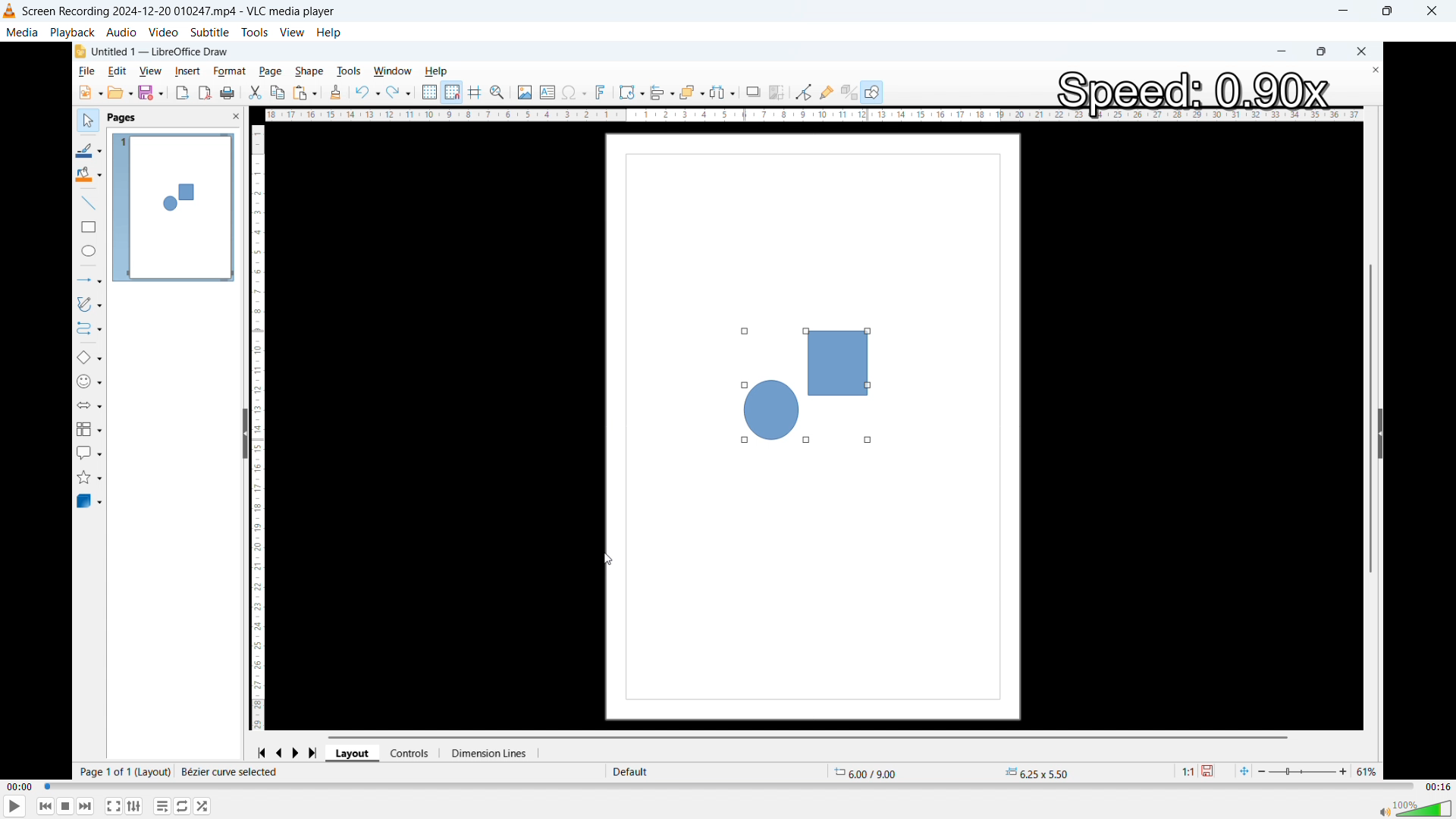 Image resolution: width=1456 pixels, height=819 pixels. Describe the element at coordinates (66, 807) in the screenshot. I see `Stop playback ` at that location.